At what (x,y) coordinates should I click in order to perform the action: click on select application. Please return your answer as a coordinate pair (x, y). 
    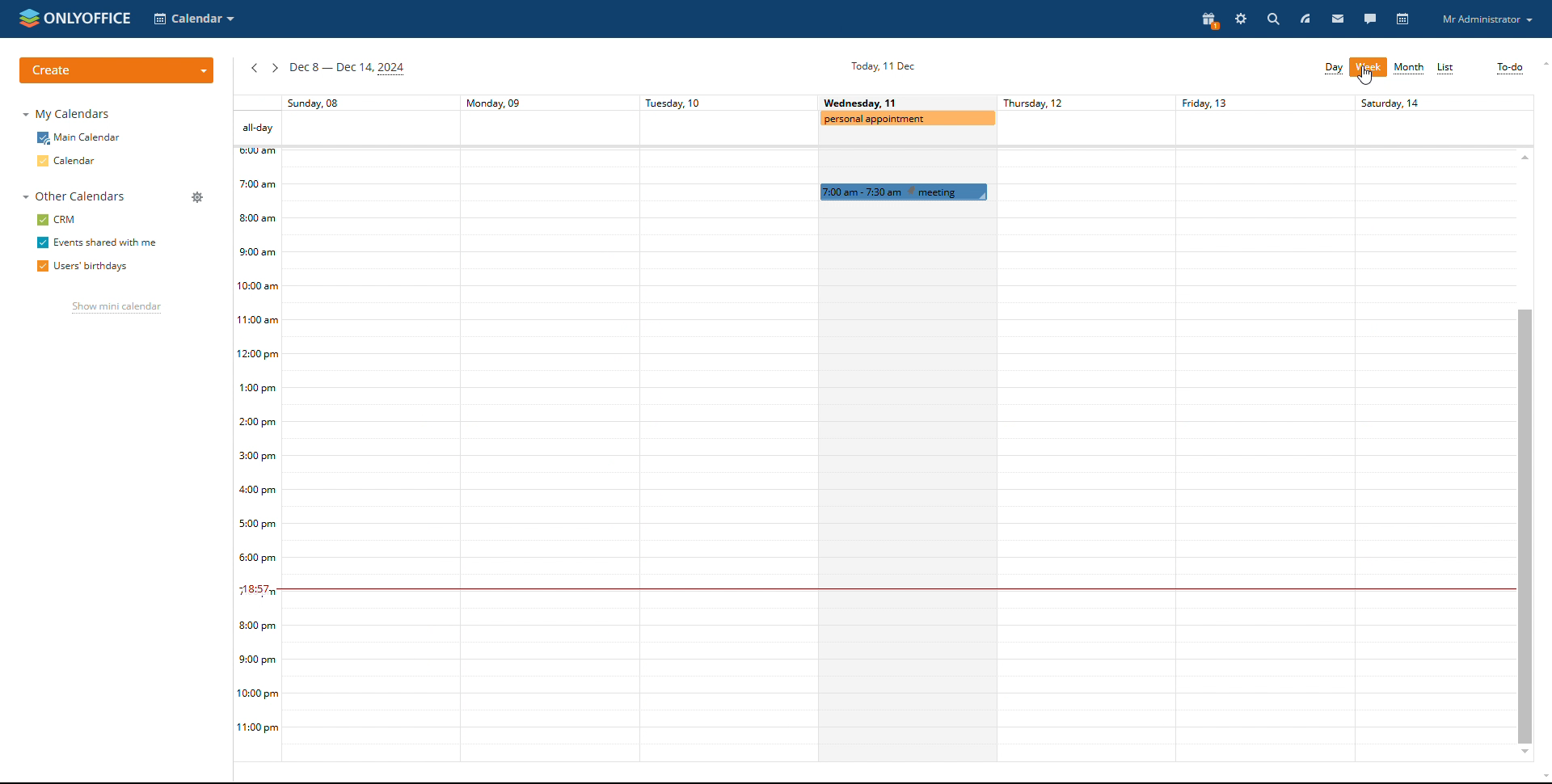
    Looking at the image, I should click on (196, 19).